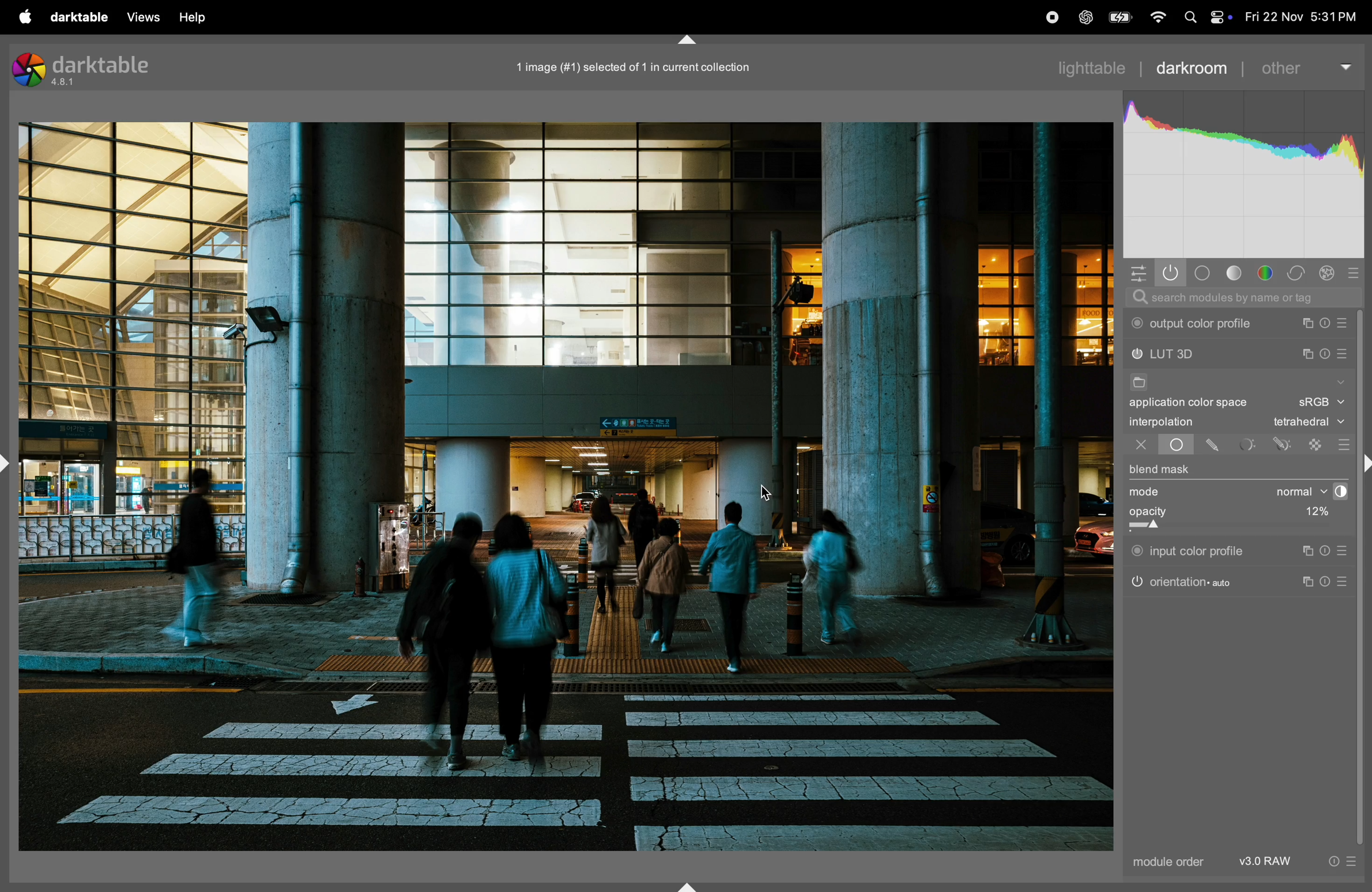  I want to click on off, so click(1141, 446).